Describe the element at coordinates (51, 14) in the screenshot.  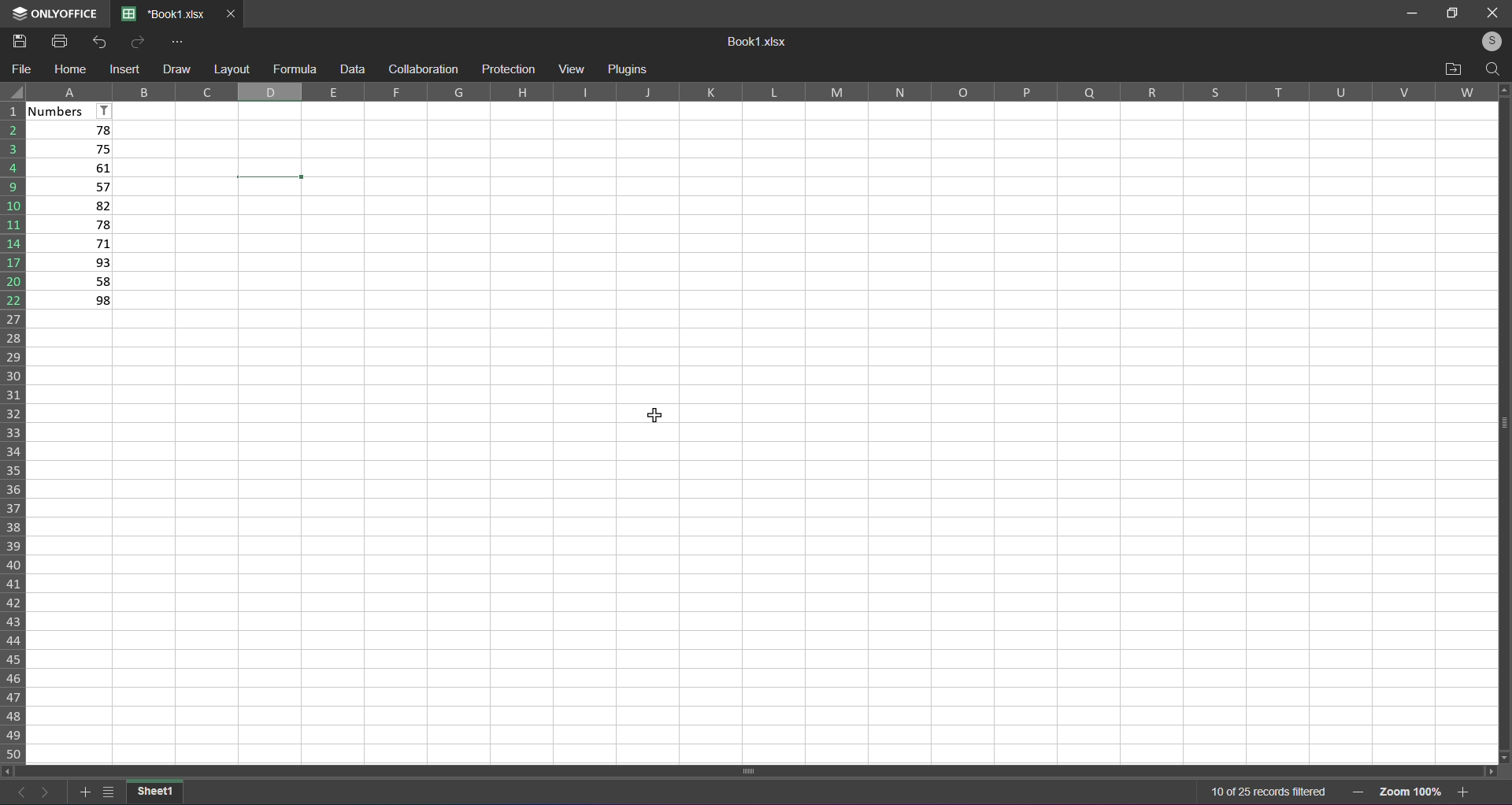
I see `ONLYOFFICE` at that location.